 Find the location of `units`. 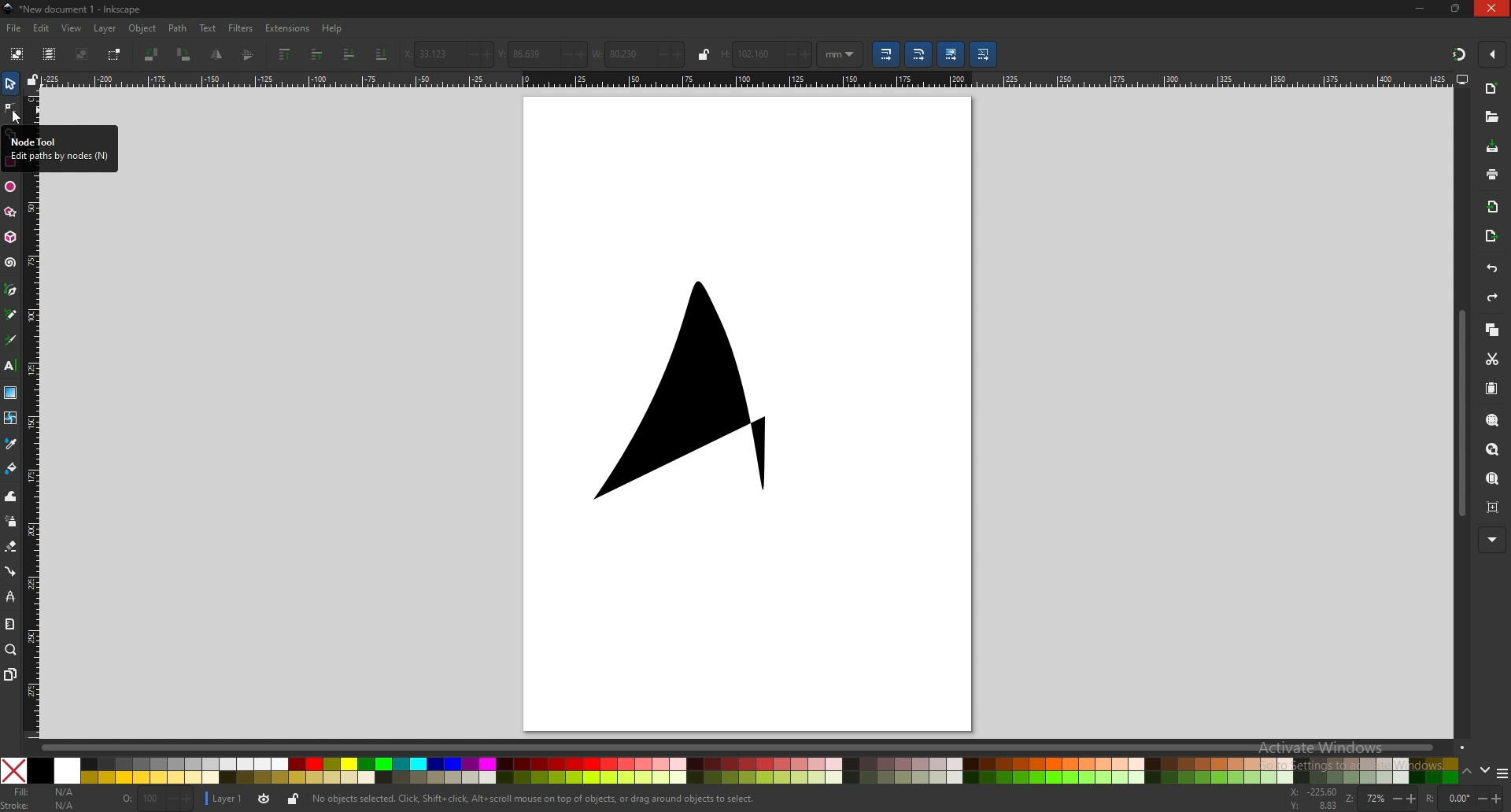

units is located at coordinates (841, 54).